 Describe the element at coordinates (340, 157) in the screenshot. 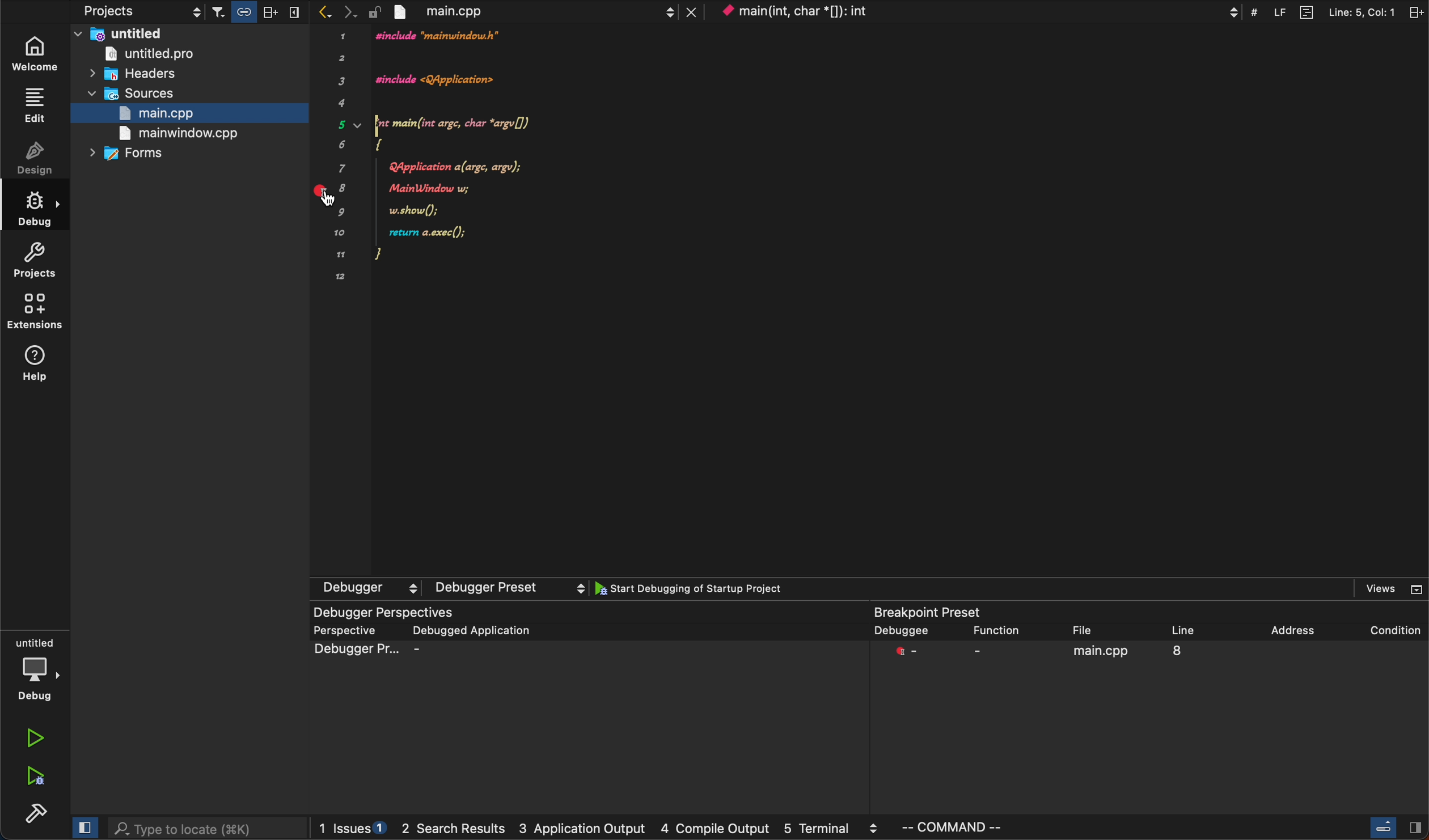

I see `12345678by91012` at that location.